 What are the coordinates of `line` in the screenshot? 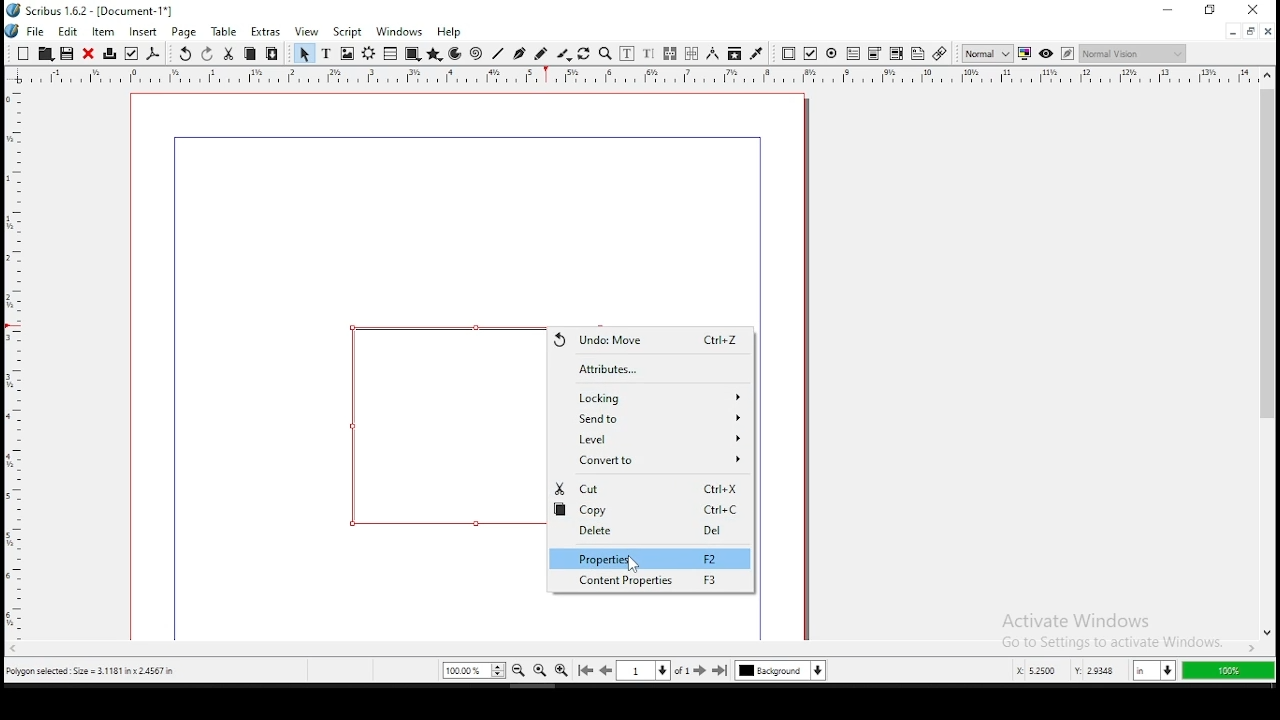 It's located at (498, 54).